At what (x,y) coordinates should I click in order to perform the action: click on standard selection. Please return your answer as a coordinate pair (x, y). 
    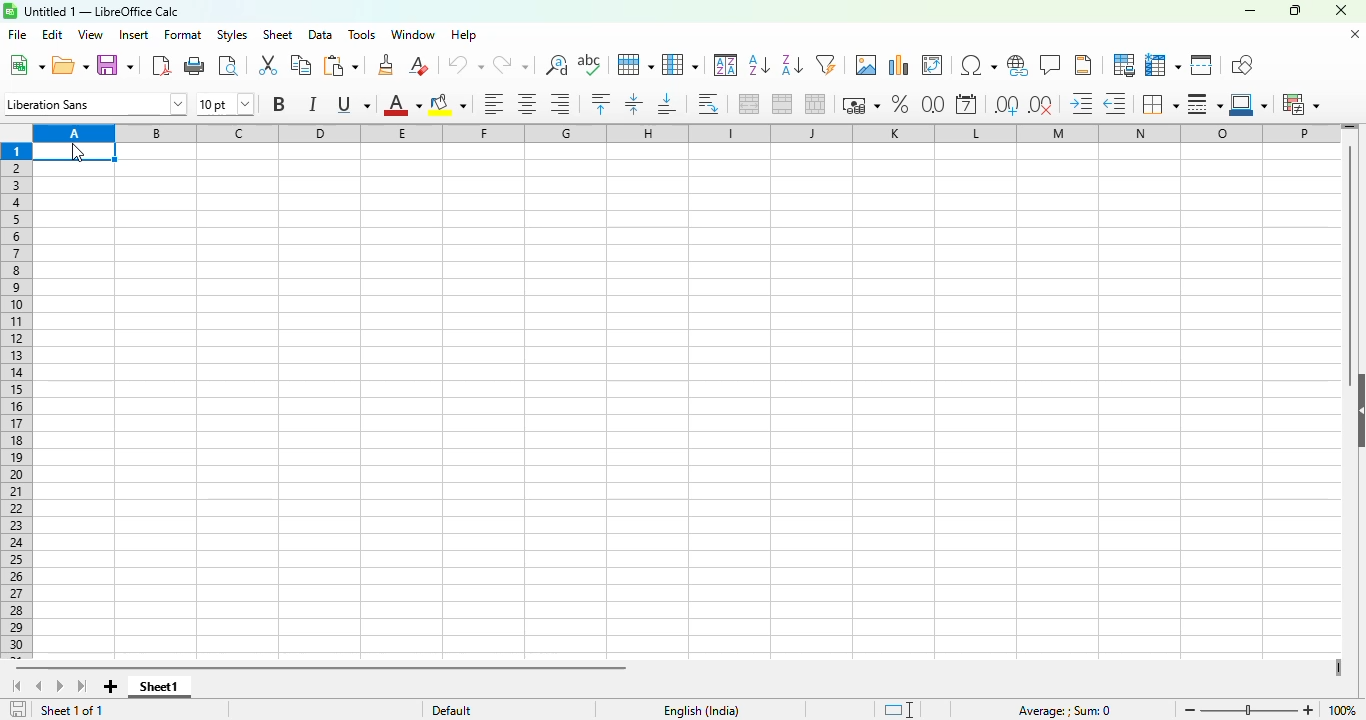
    Looking at the image, I should click on (899, 710).